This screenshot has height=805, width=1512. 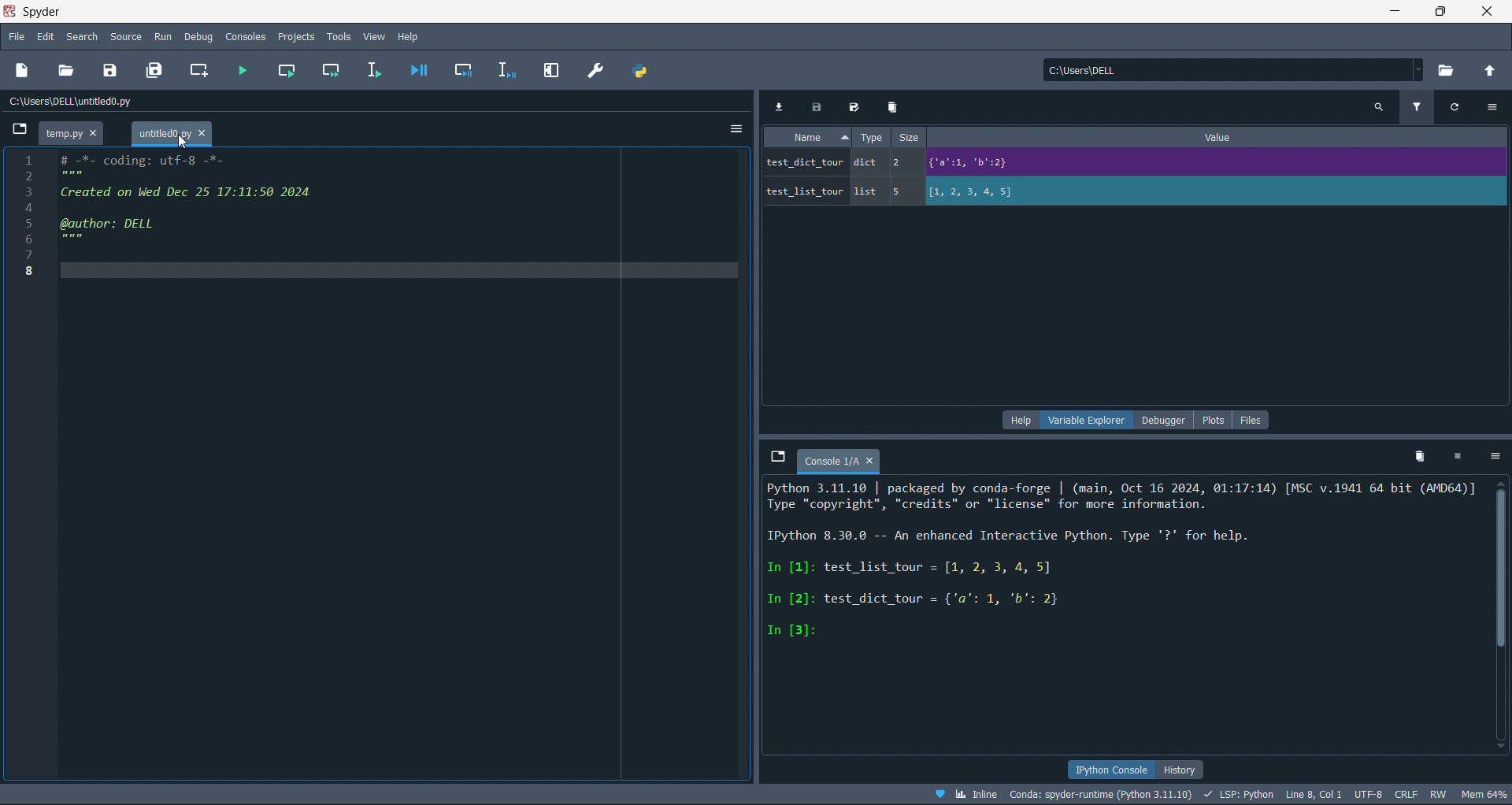 I want to click on change directory, so click(x=1488, y=72).